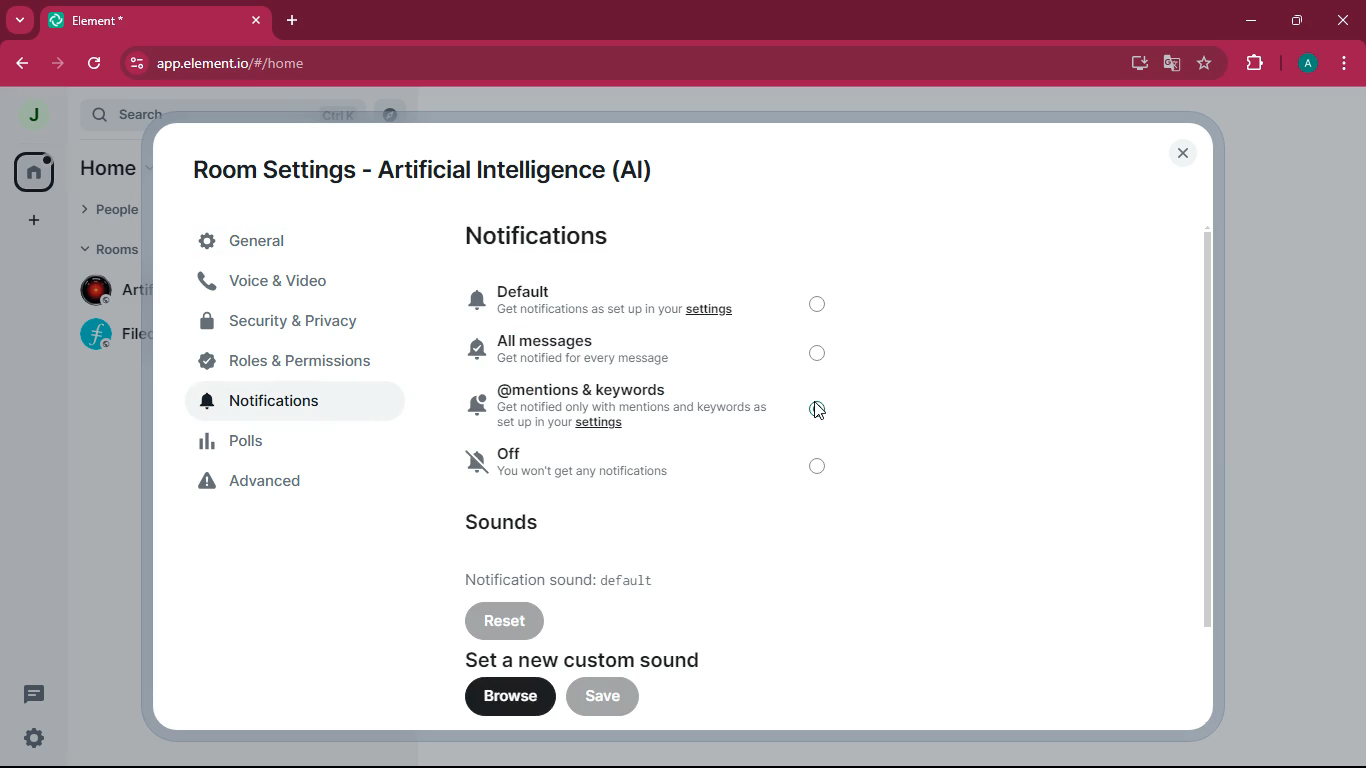 This screenshot has height=768, width=1366. Describe the element at coordinates (36, 737) in the screenshot. I see `settings` at that location.